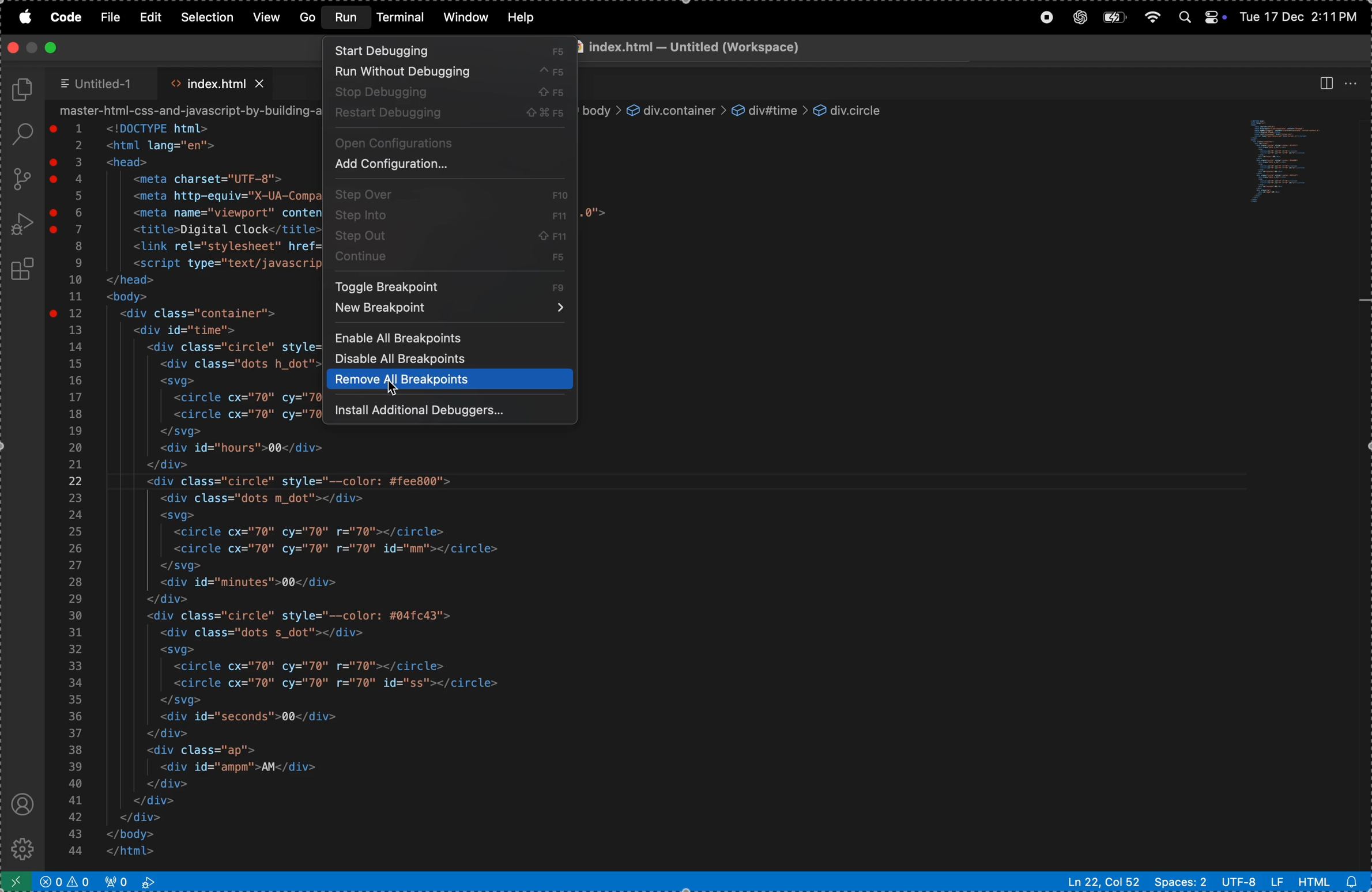  What do you see at coordinates (394, 388) in the screenshot?
I see `cursor` at bounding box center [394, 388].